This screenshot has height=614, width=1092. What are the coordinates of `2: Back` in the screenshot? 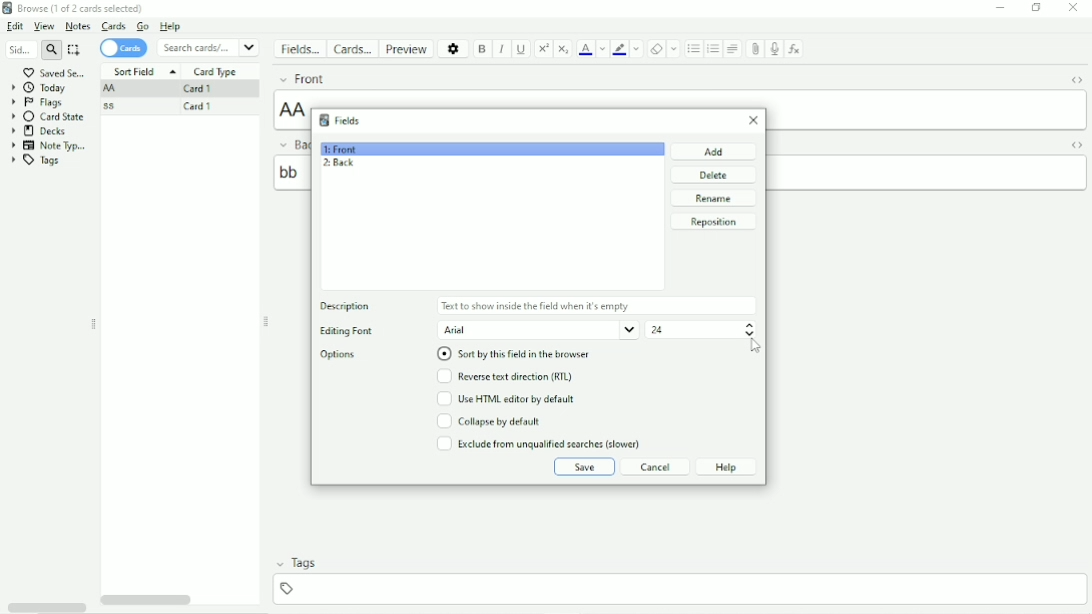 It's located at (338, 163).